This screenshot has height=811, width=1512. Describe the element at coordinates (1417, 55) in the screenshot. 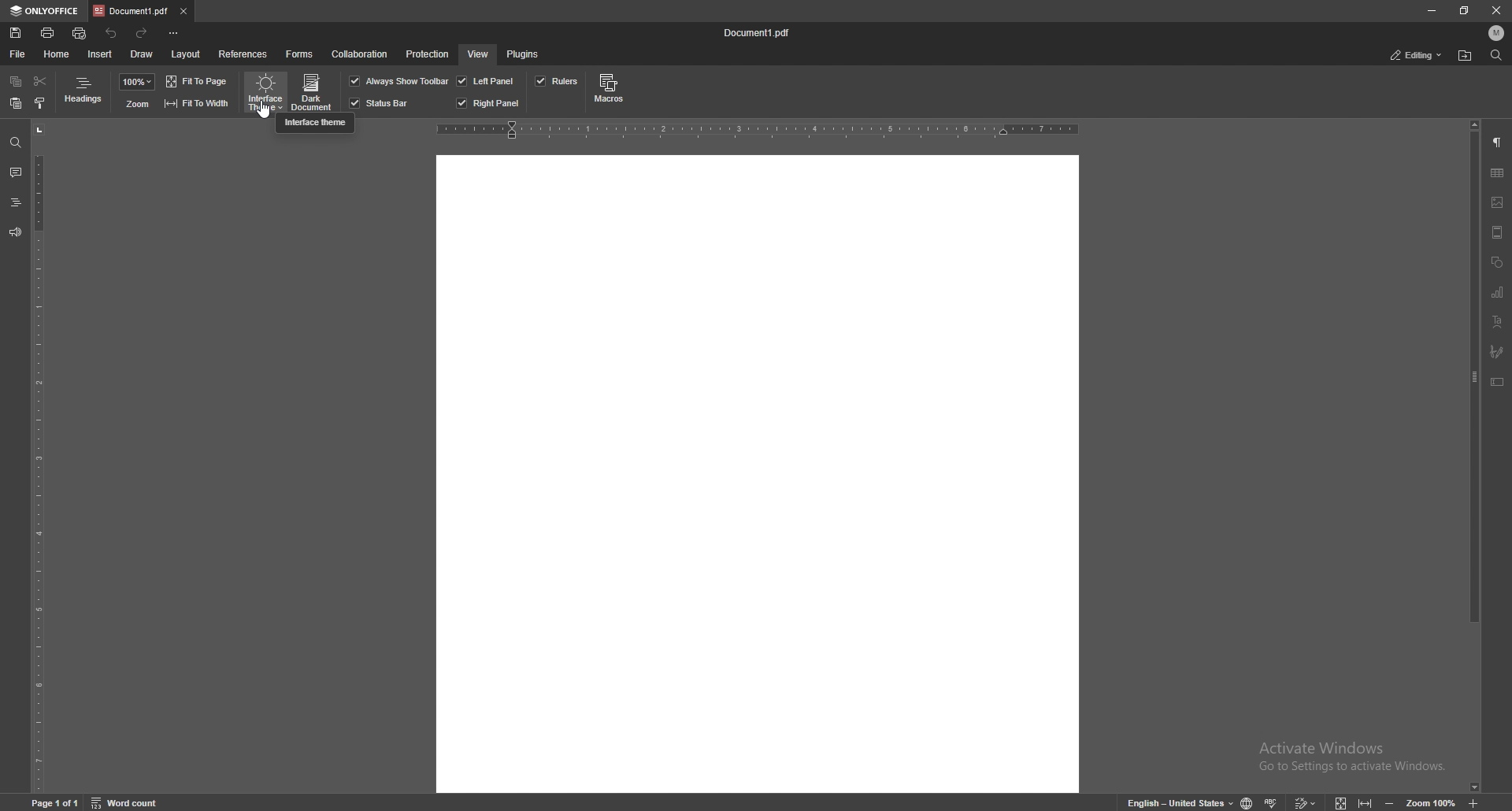

I see `status` at that location.